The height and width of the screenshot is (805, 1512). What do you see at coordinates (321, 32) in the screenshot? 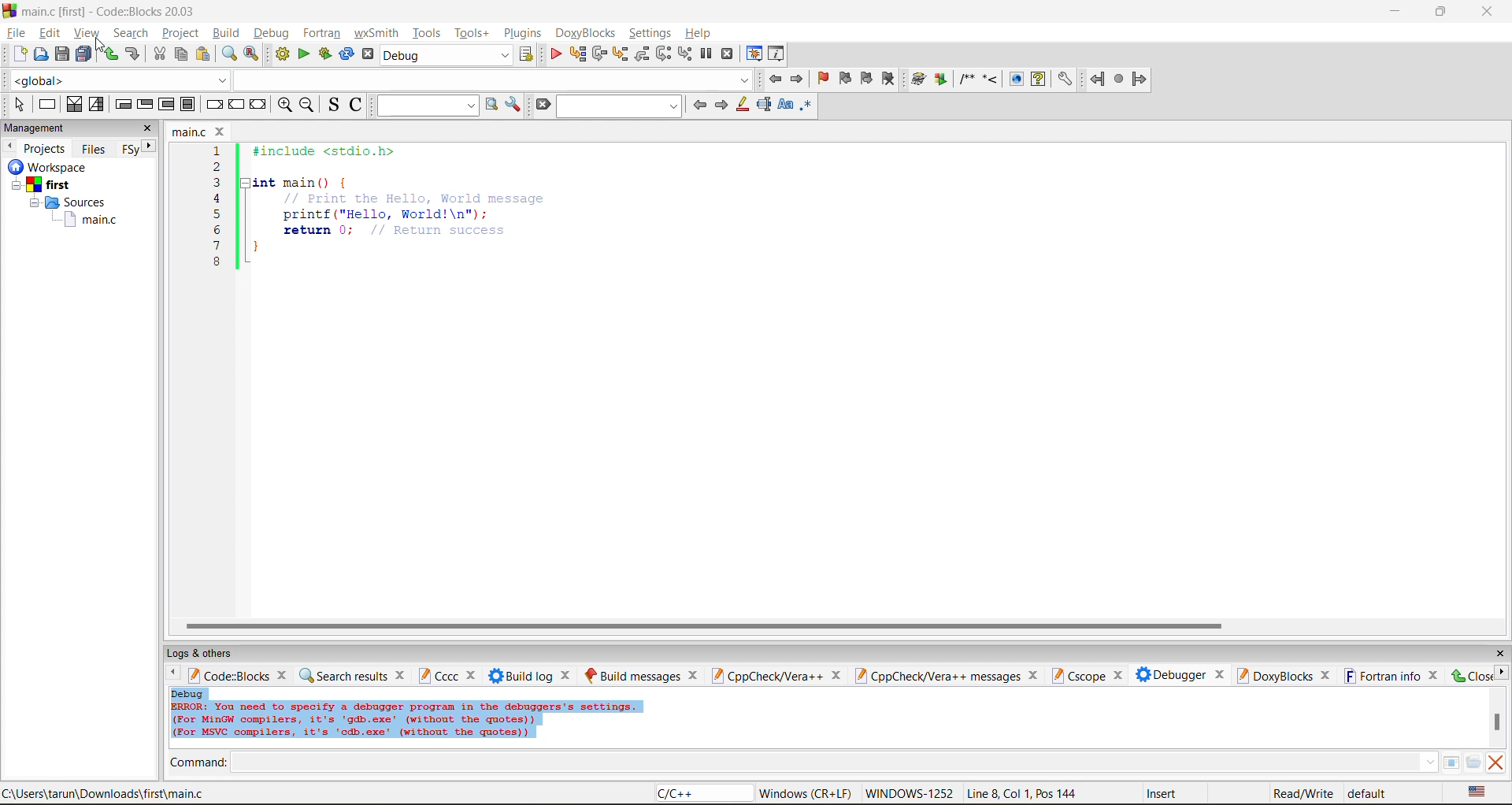
I see `fortran` at bounding box center [321, 32].